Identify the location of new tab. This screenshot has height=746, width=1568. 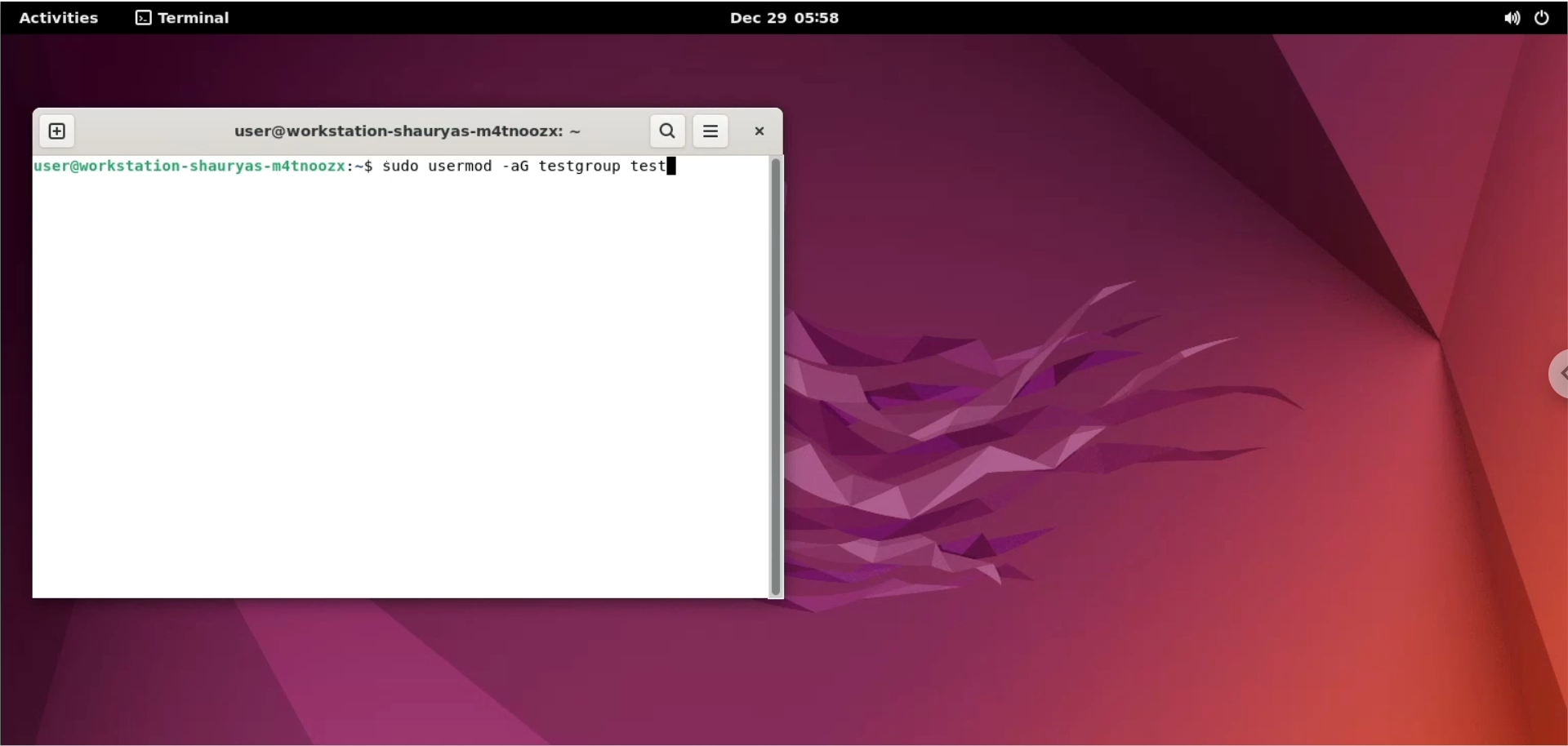
(56, 131).